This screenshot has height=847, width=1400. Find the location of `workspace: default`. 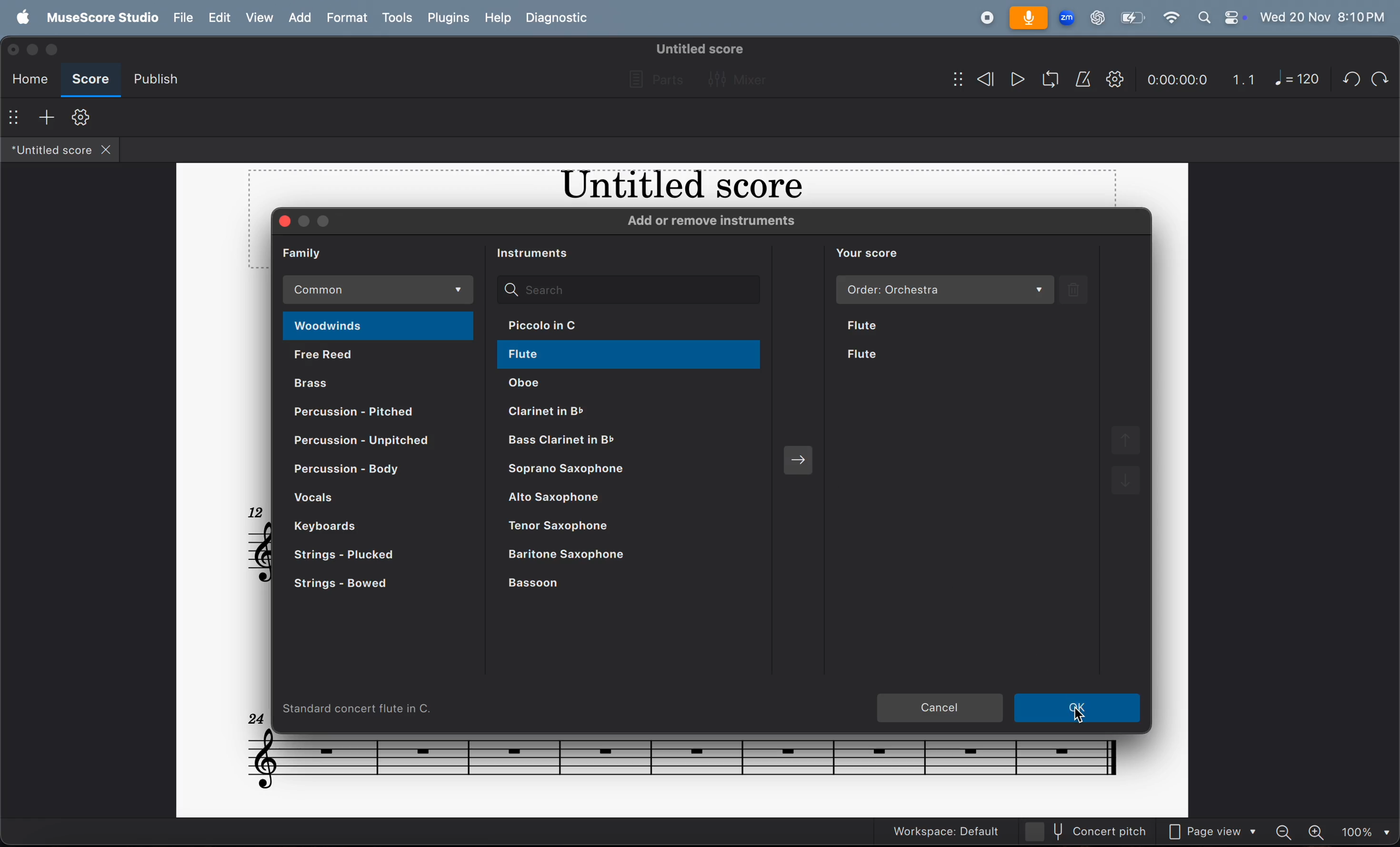

workspace: default is located at coordinates (942, 829).